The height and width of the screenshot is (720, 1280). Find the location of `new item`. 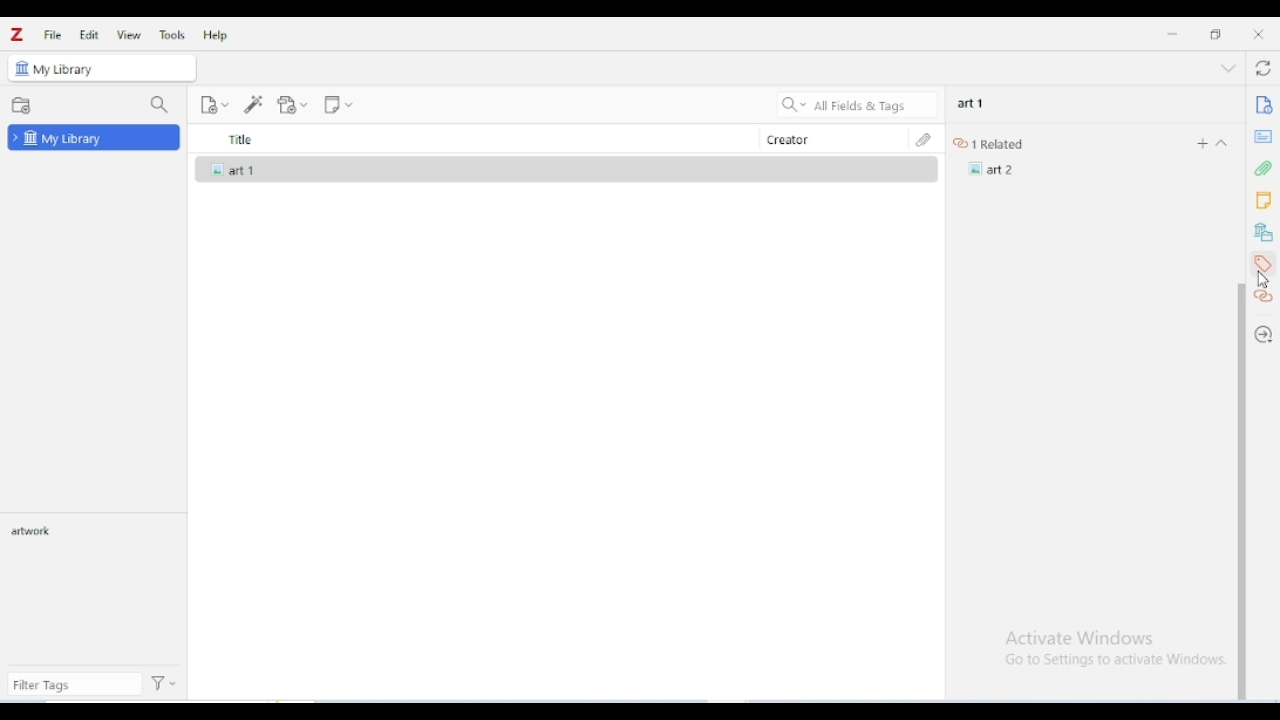

new item is located at coordinates (214, 105).